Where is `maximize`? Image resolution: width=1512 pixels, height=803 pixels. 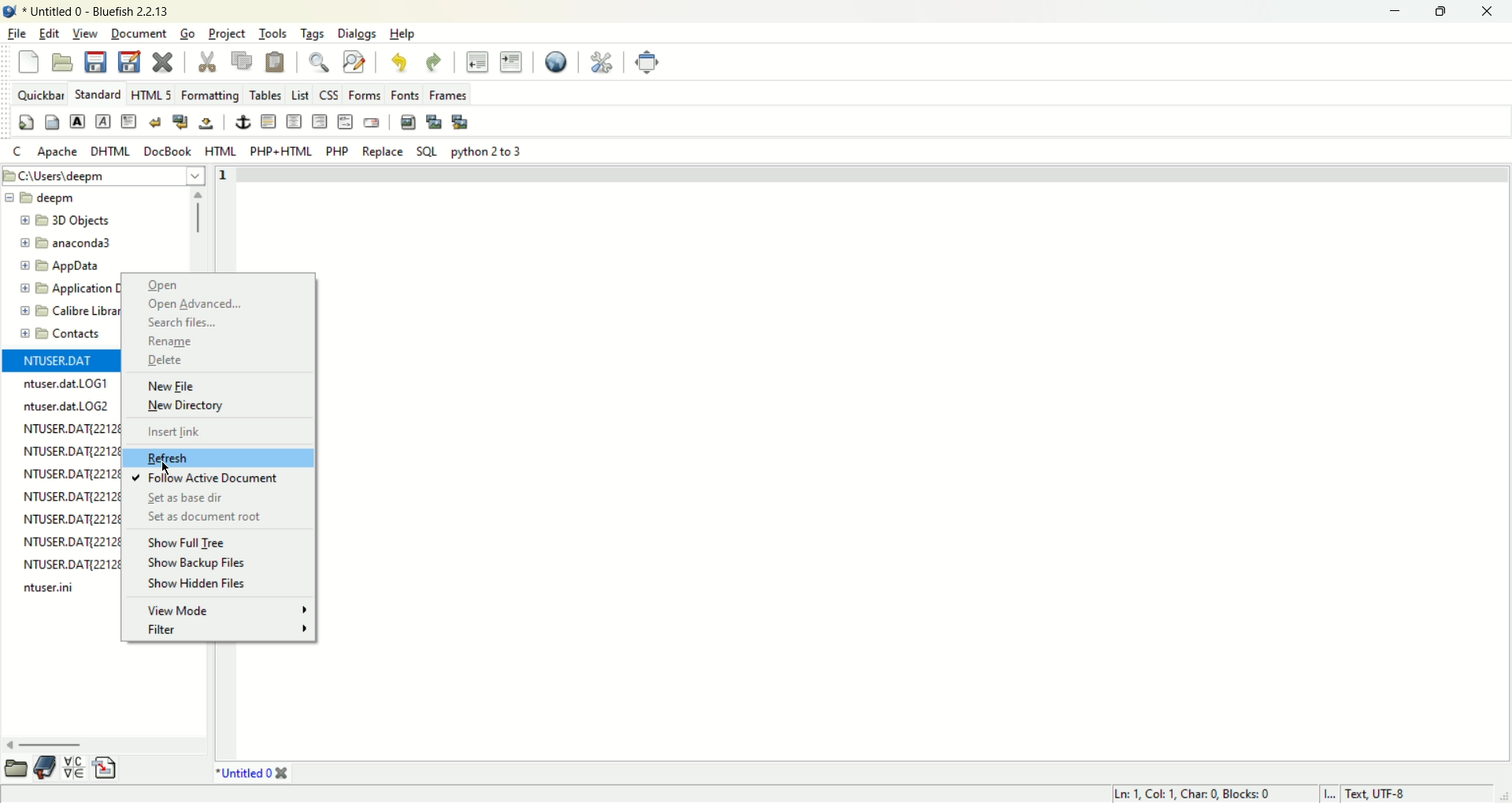 maximize is located at coordinates (1448, 12).